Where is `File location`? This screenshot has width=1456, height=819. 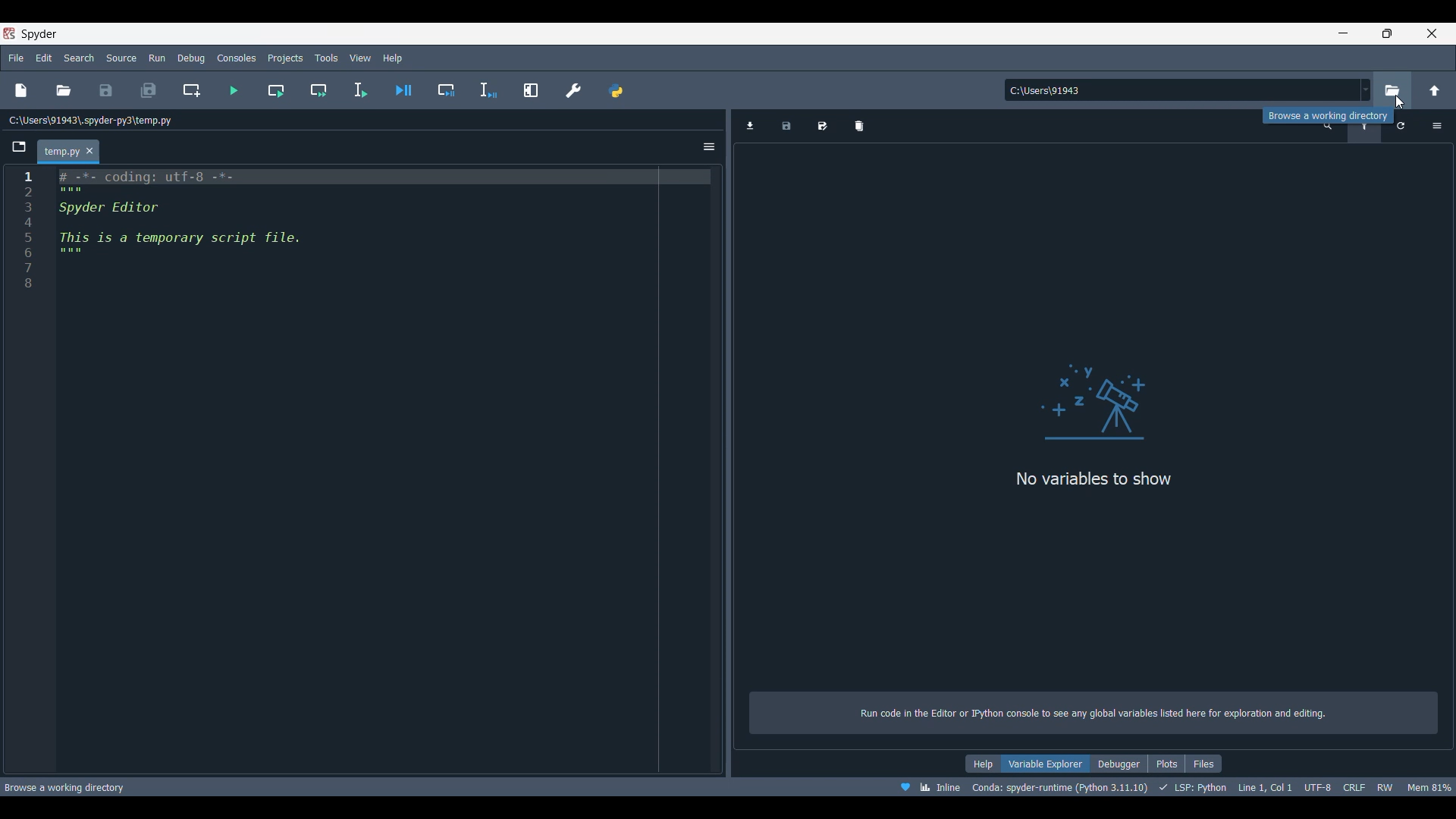 File location is located at coordinates (93, 121).